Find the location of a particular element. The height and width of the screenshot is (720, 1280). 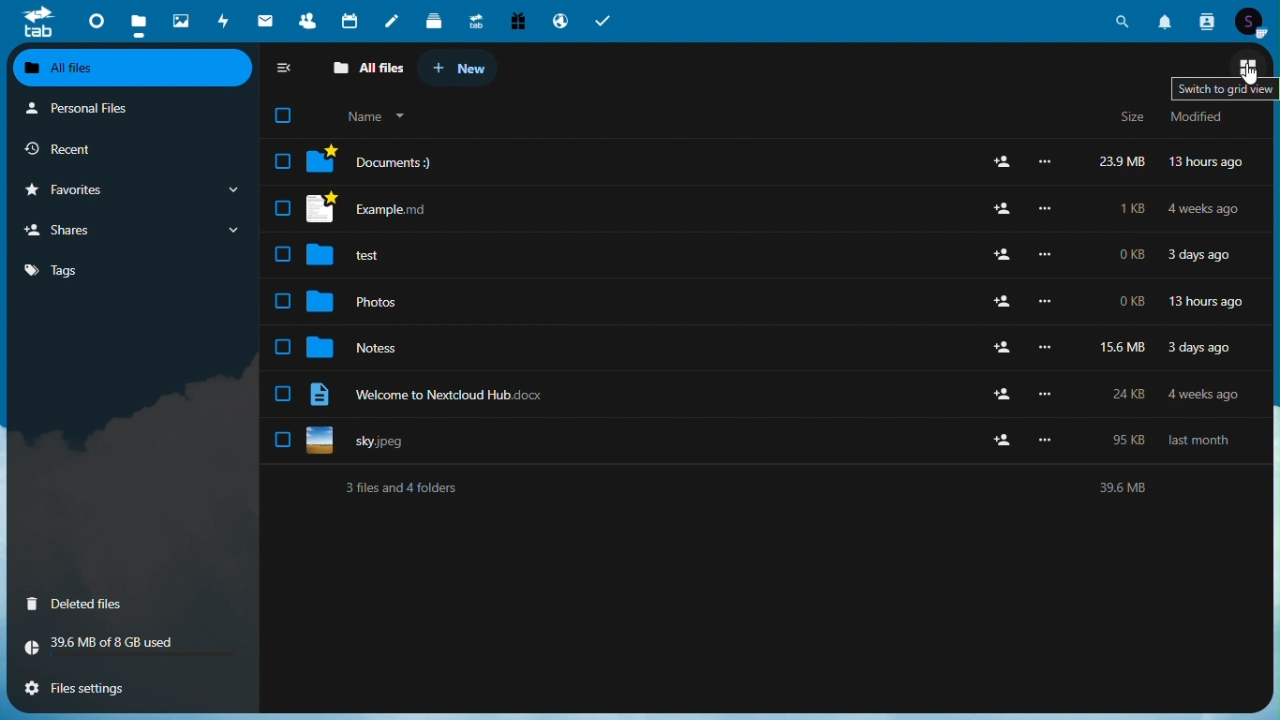

more options is located at coordinates (1048, 255).